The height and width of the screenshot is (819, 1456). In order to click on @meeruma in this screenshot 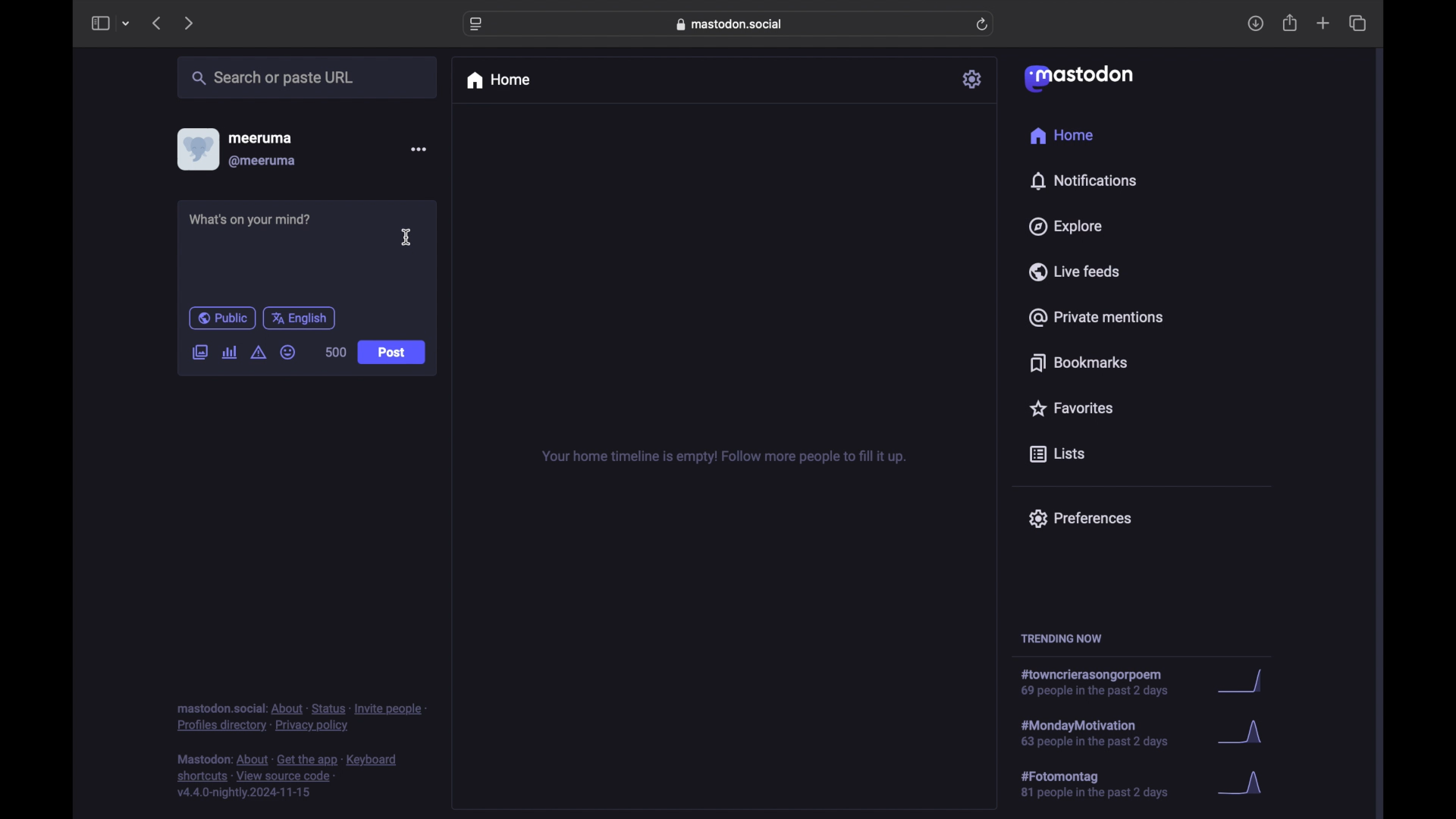, I will do `click(262, 162)`.